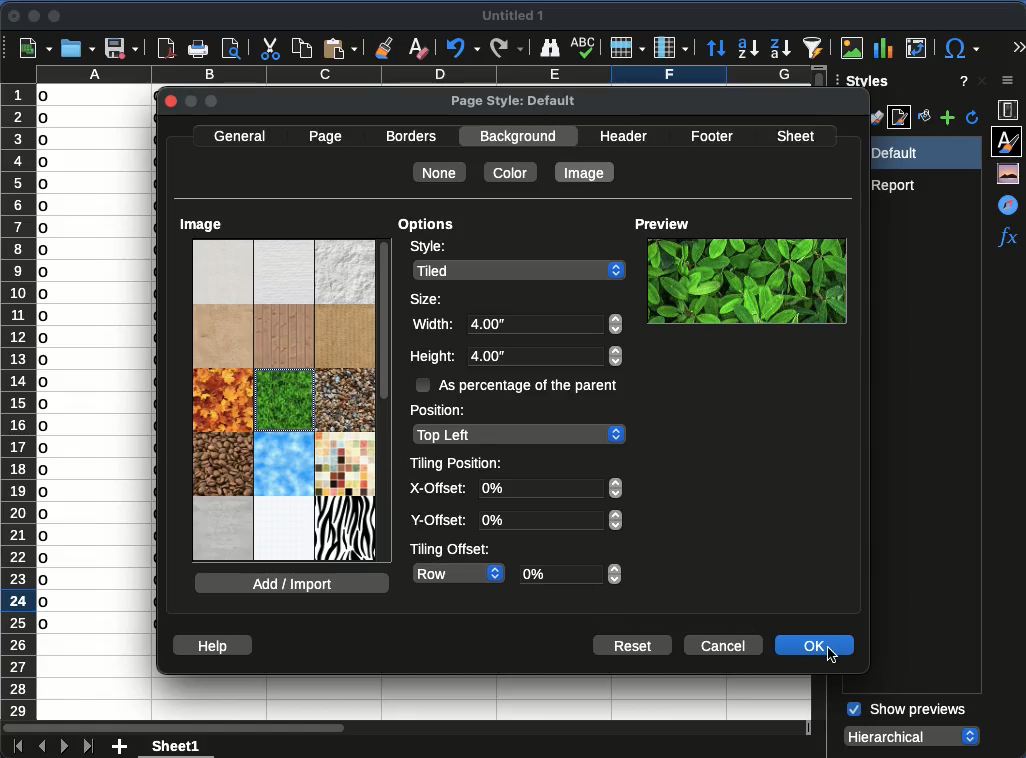 This screenshot has height=758, width=1026. Describe the element at coordinates (747, 49) in the screenshot. I see `ascending` at that location.